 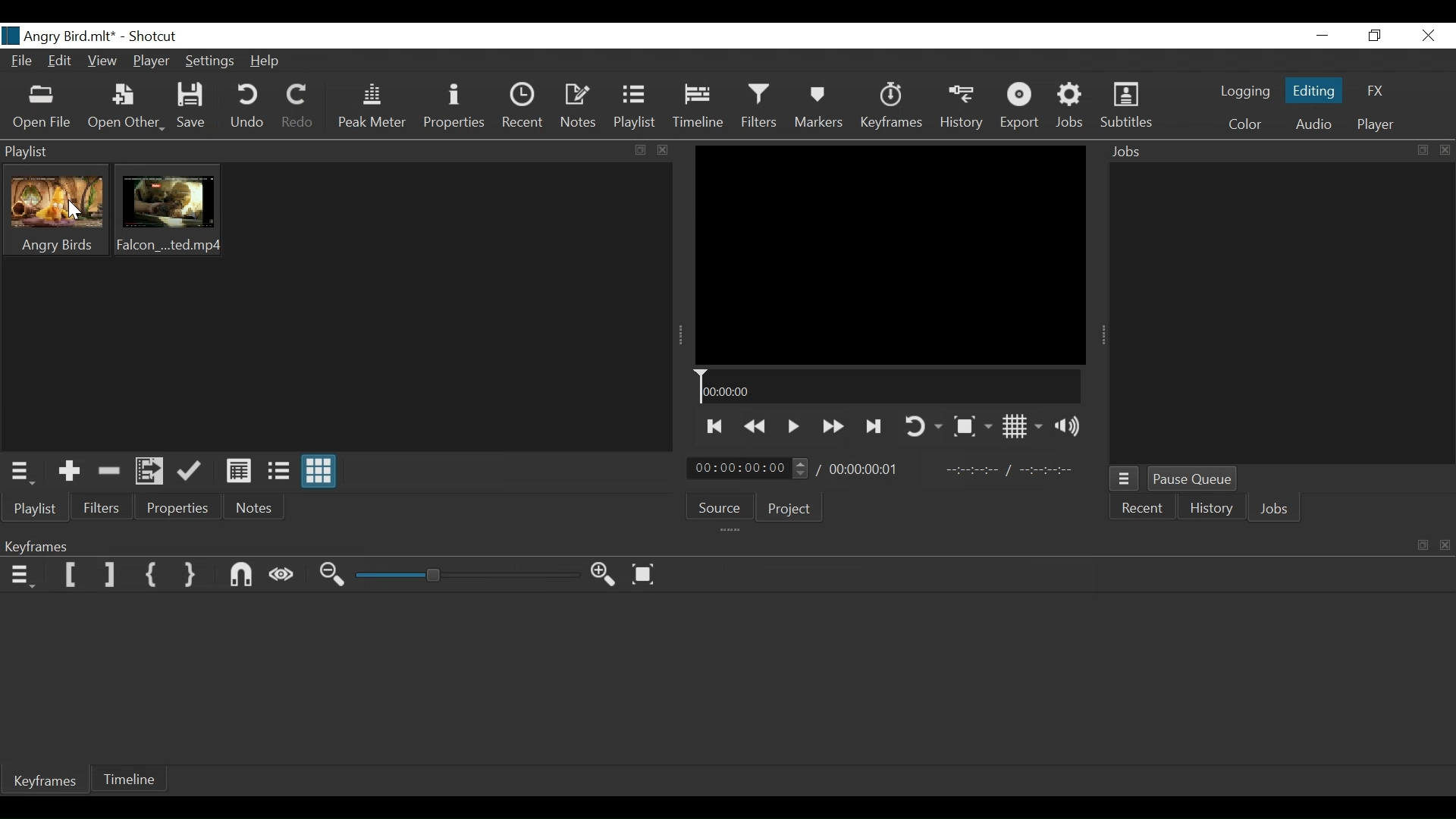 What do you see at coordinates (636, 108) in the screenshot?
I see `Playlist` at bounding box center [636, 108].